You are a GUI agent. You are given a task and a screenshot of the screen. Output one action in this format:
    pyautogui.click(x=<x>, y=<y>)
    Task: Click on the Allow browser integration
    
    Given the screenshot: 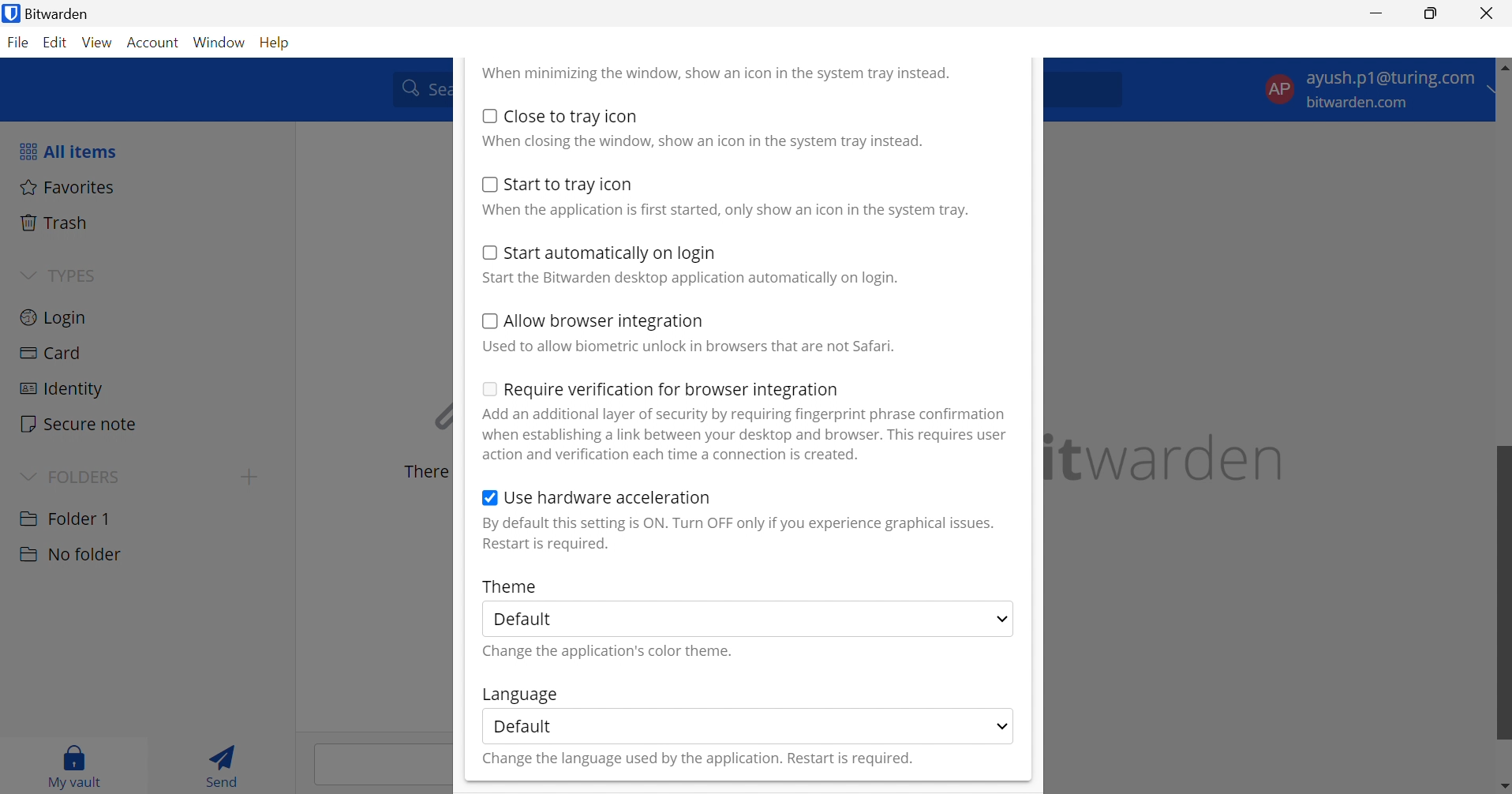 What is the action you would take?
    pyautogui.click(x=605, y=323)
    